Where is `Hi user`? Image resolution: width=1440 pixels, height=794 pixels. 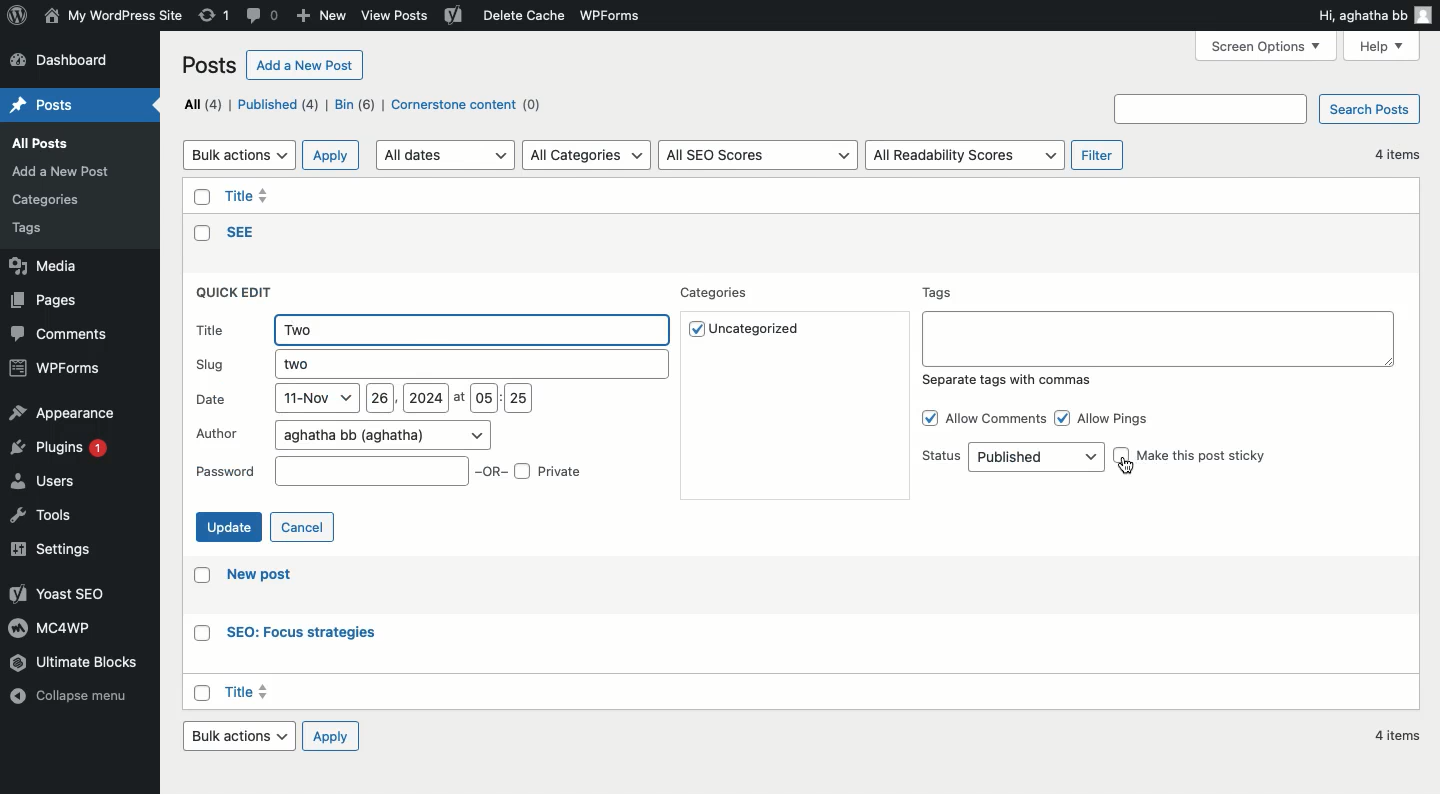
Hi user is located at coordinates (1375, 16).